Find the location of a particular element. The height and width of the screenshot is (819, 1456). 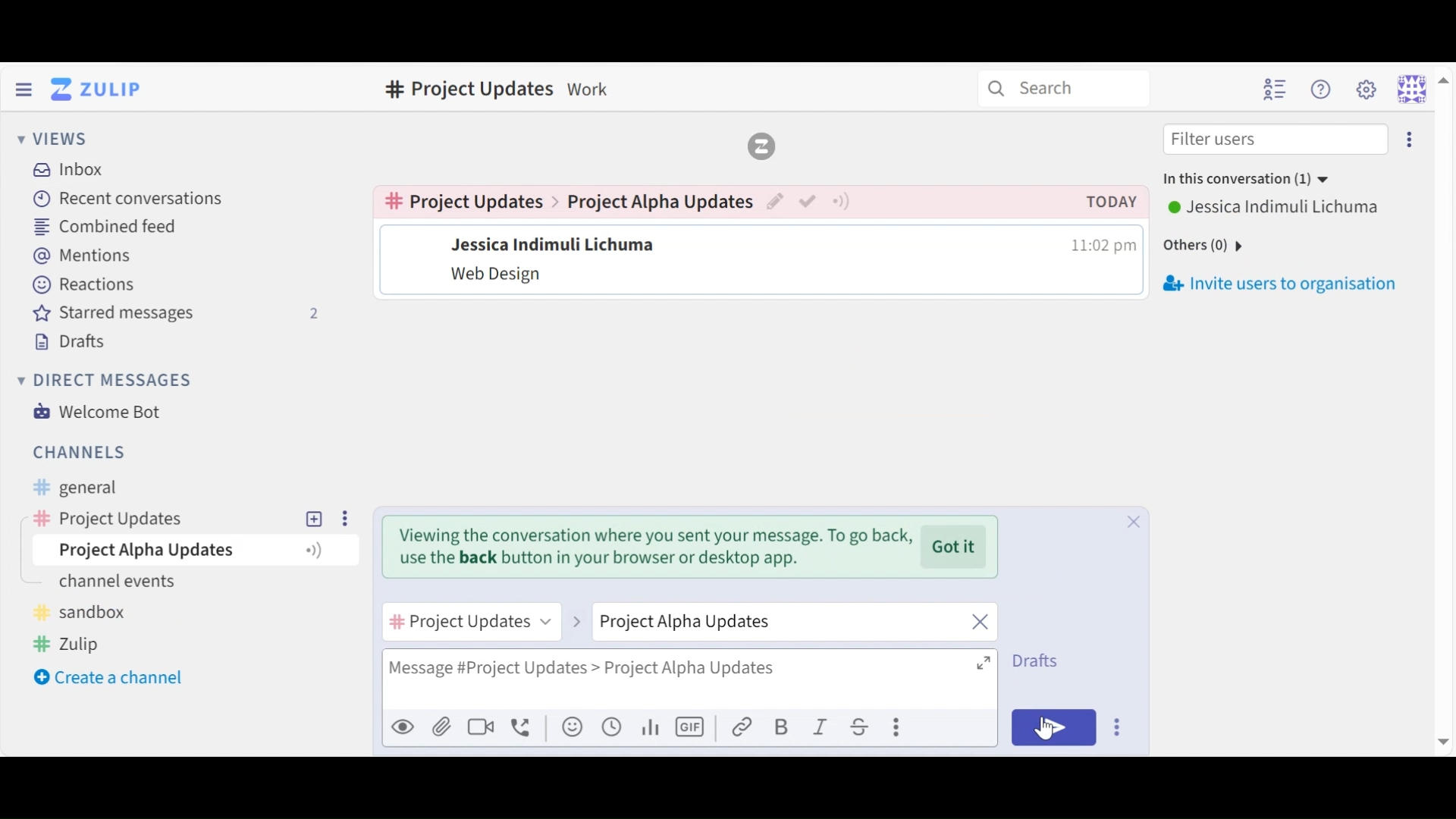

Mentions is located at coordinates (83, 255).